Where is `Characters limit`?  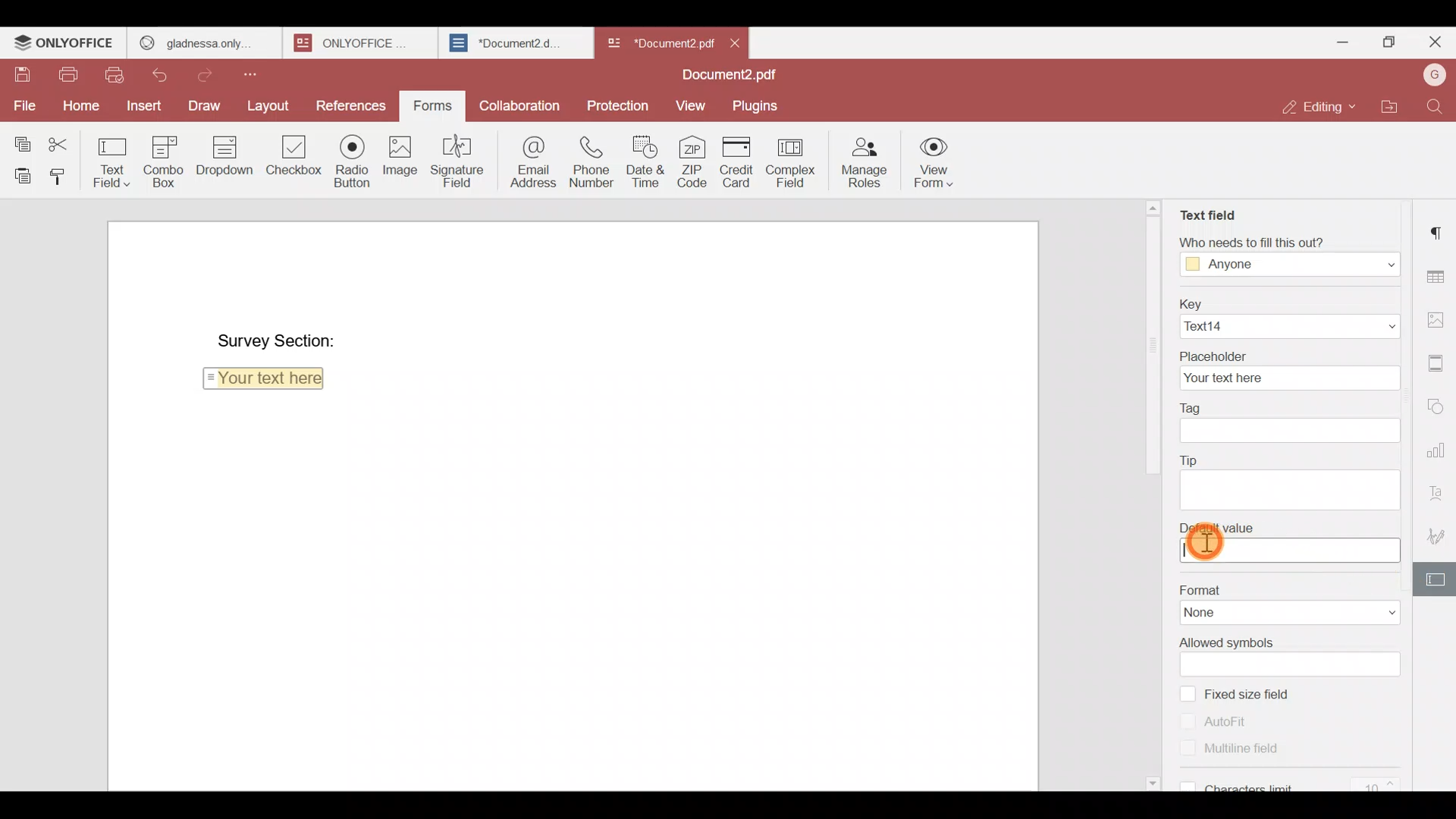 Characters limit is located at coordinates (1296, 783).